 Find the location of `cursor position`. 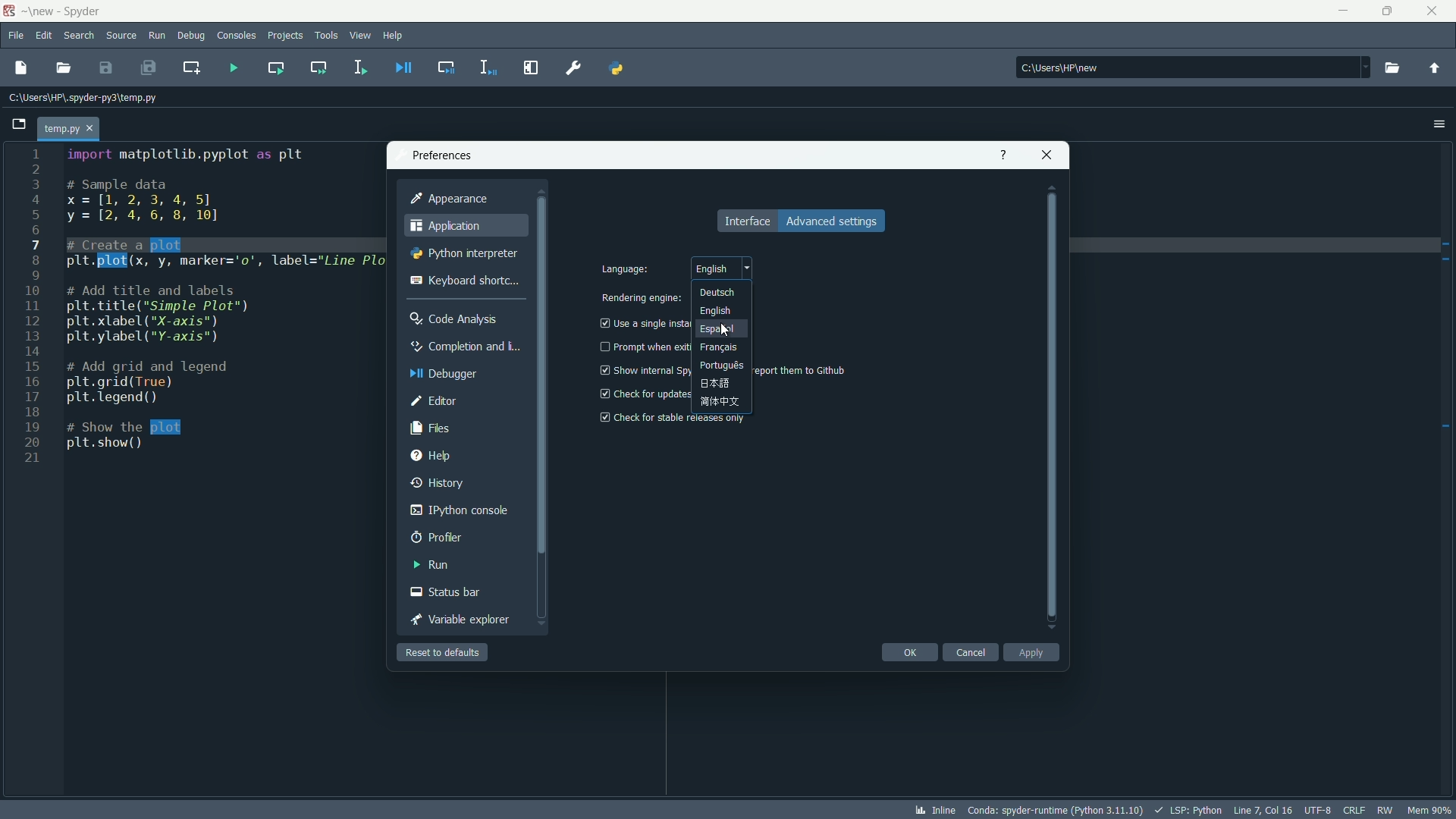

cursor position is located at coordinates (1262, 810).